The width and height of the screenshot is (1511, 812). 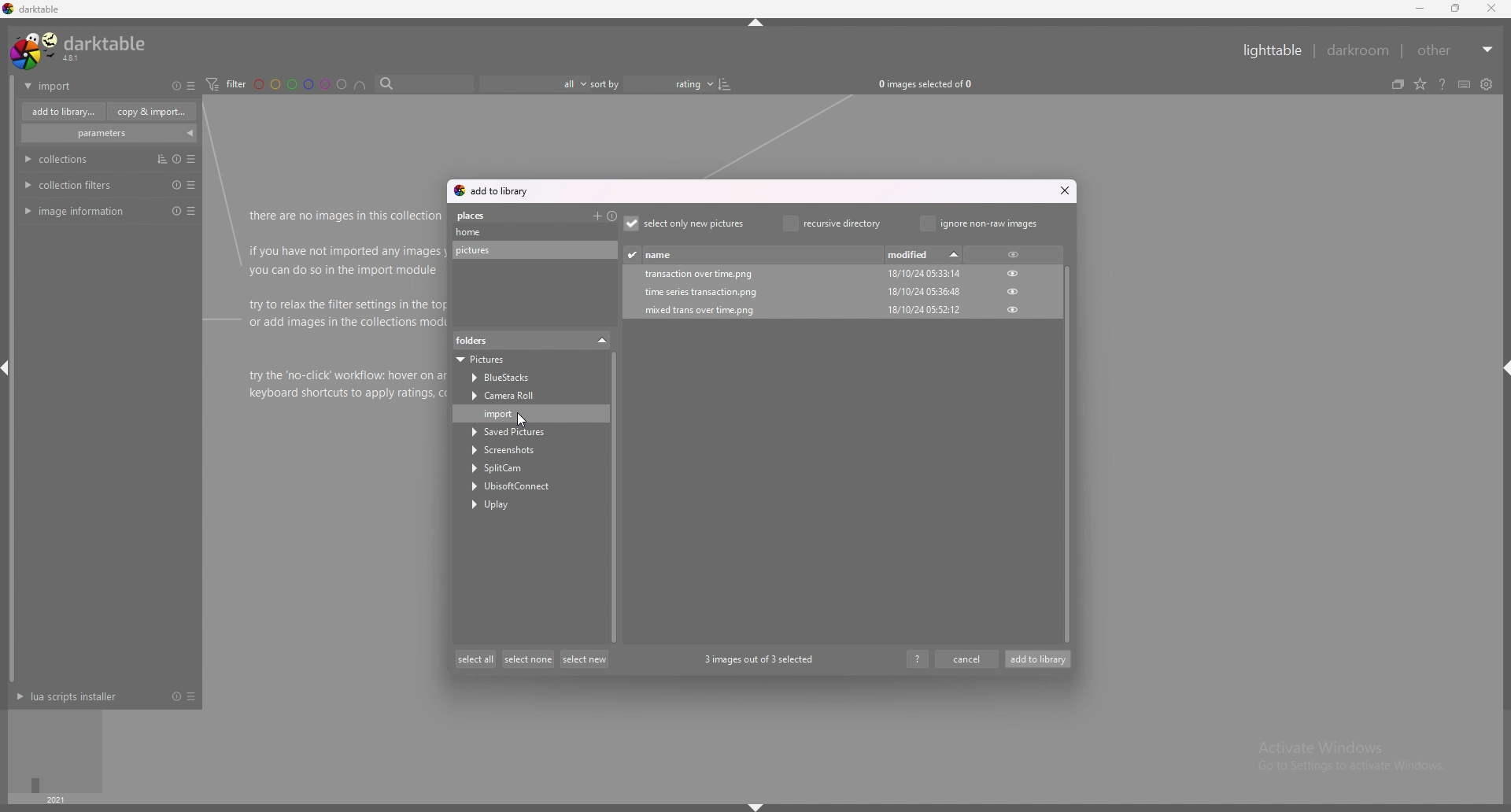 What do you see at coordinates (1359, 50) in the screenshot?
I see `darkroom` at bounding box center [1359, 50].